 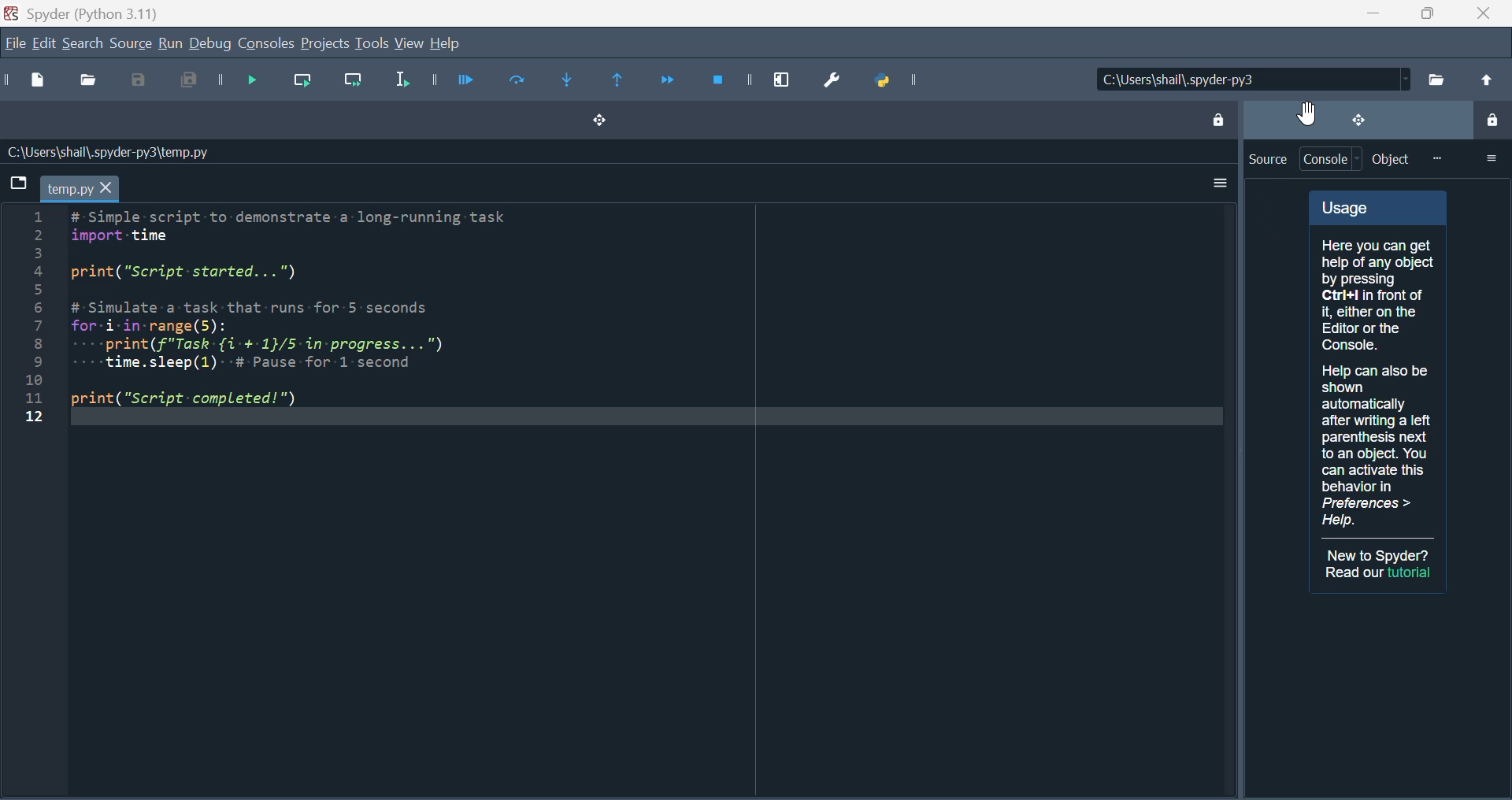 What do you see at coordinates (42, 45) in the screenshot?
I see `Edit` at bounding box center [42, 45].